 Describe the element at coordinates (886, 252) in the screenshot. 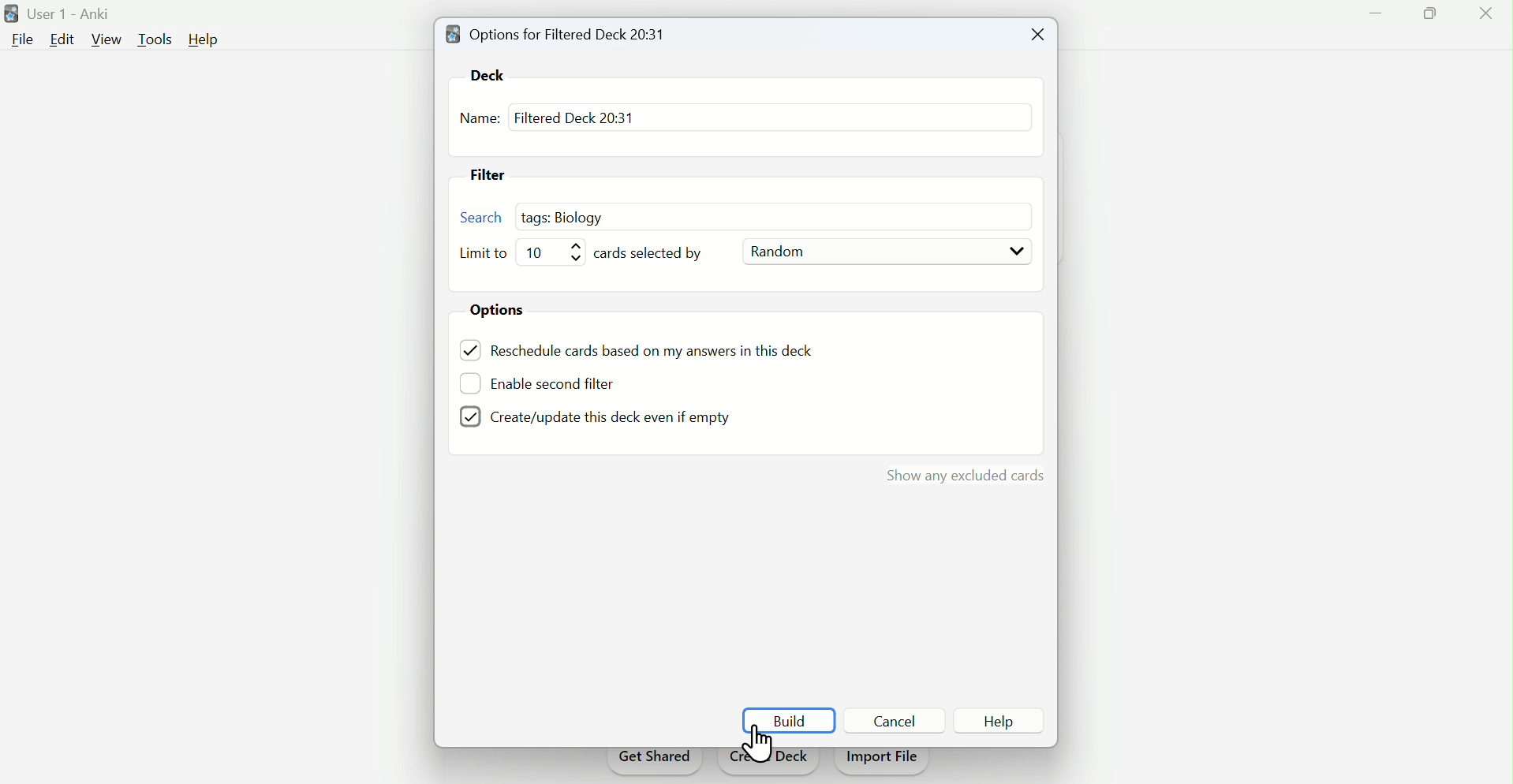

I see `Random` at that location.